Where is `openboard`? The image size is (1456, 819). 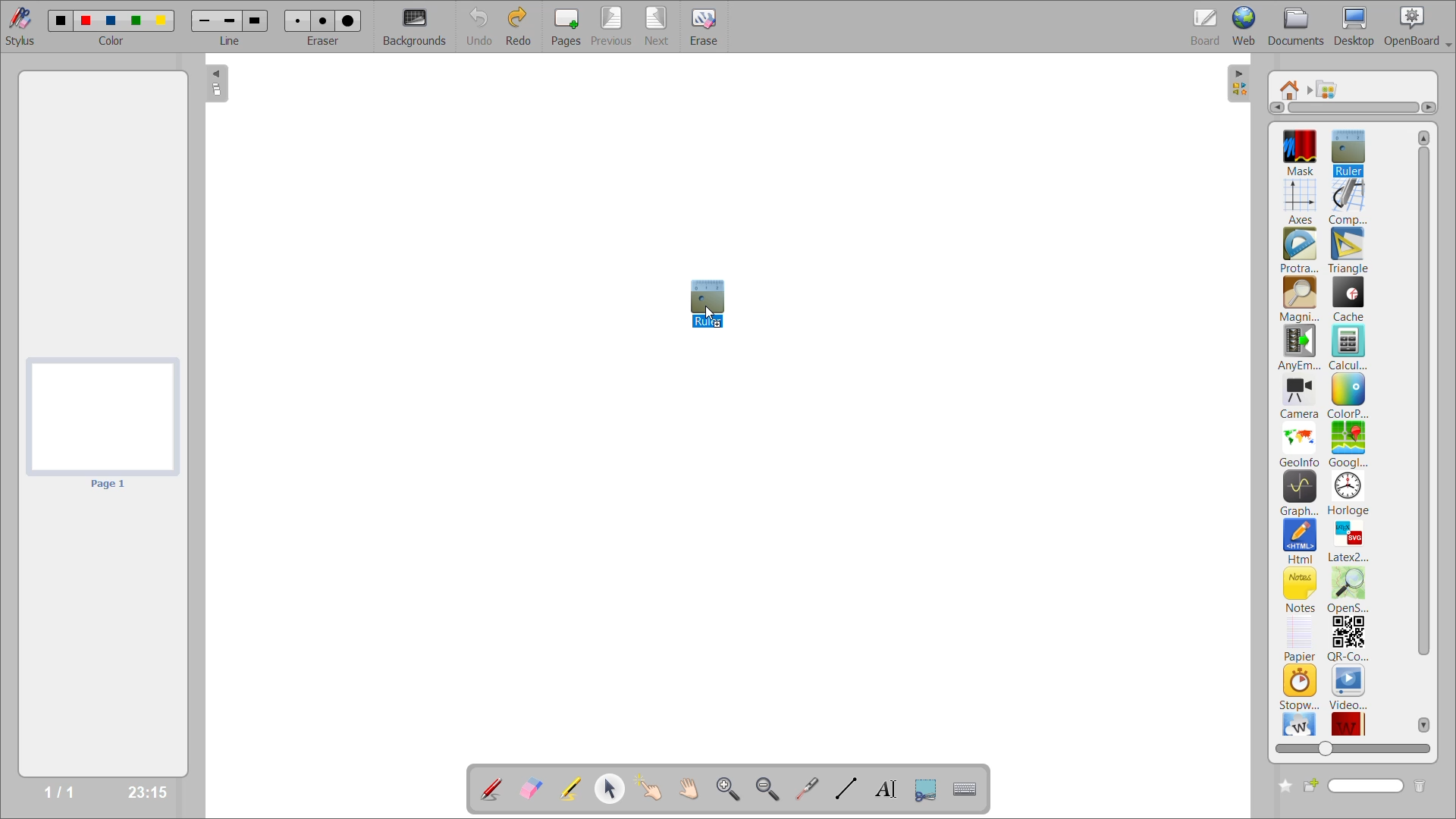
openboard is located at coordinates (1420, 27).